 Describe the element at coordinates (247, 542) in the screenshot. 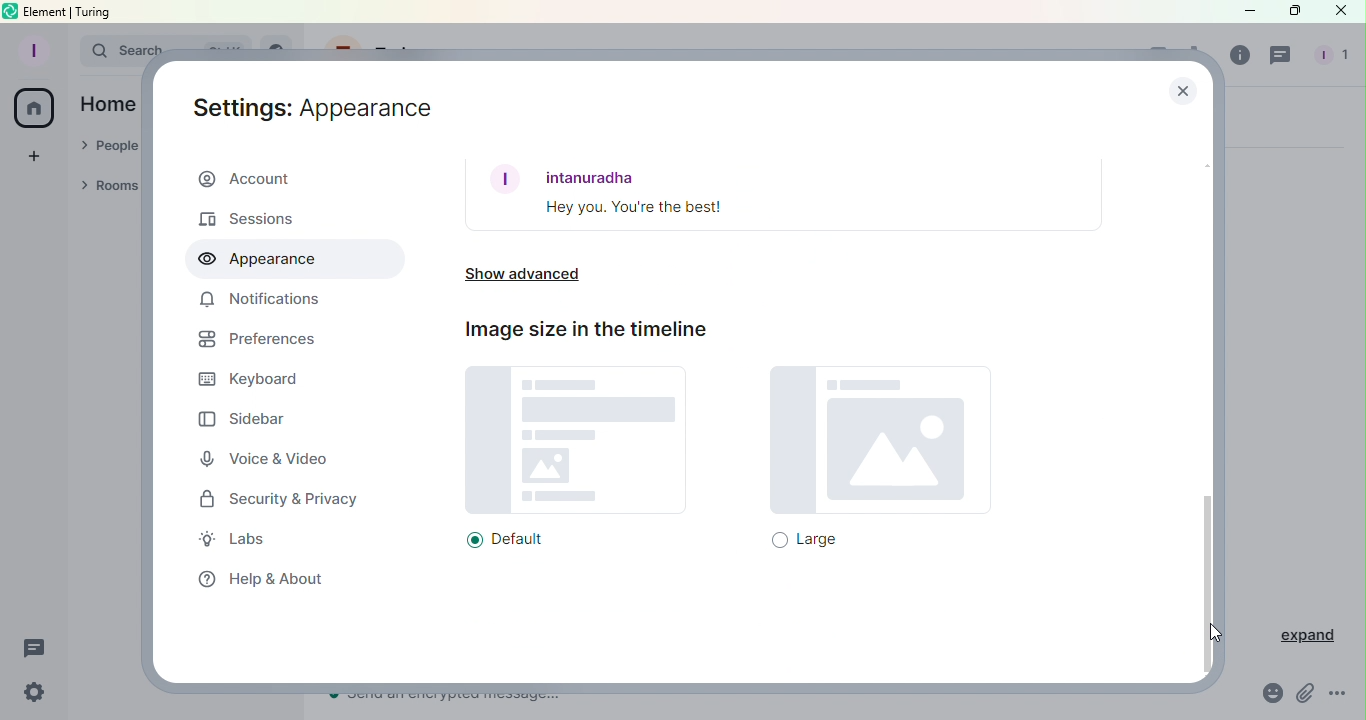

I see `Labs` at that location.